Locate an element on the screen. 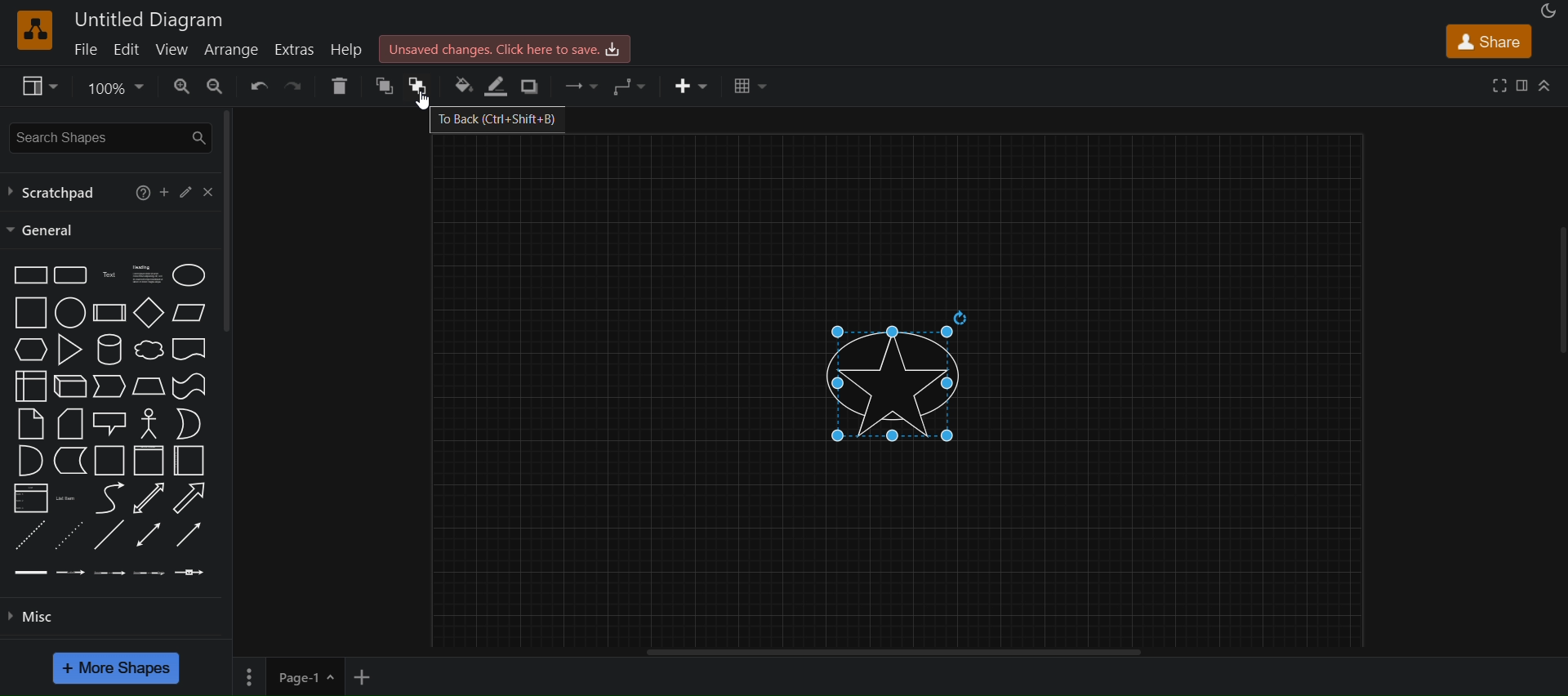 The image size is (1568, 696). step  is located at coordinates (110, 385).